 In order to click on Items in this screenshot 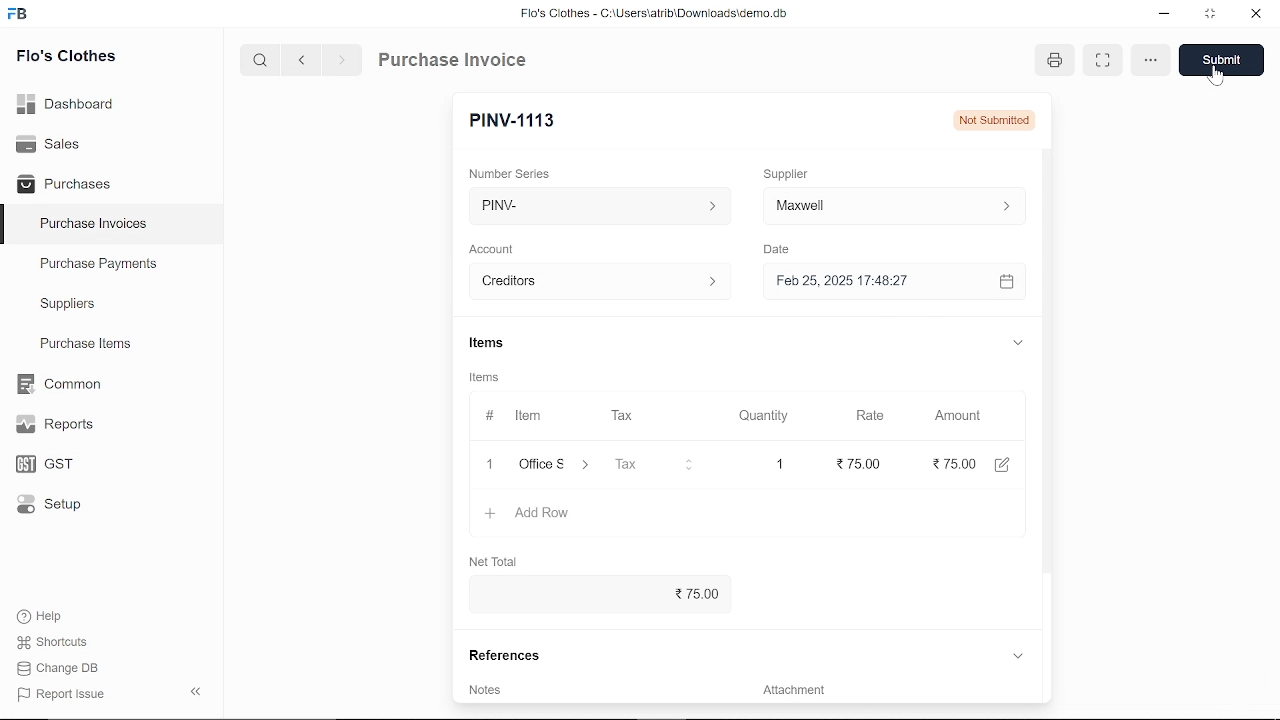, I will do `click(490, 379)`.